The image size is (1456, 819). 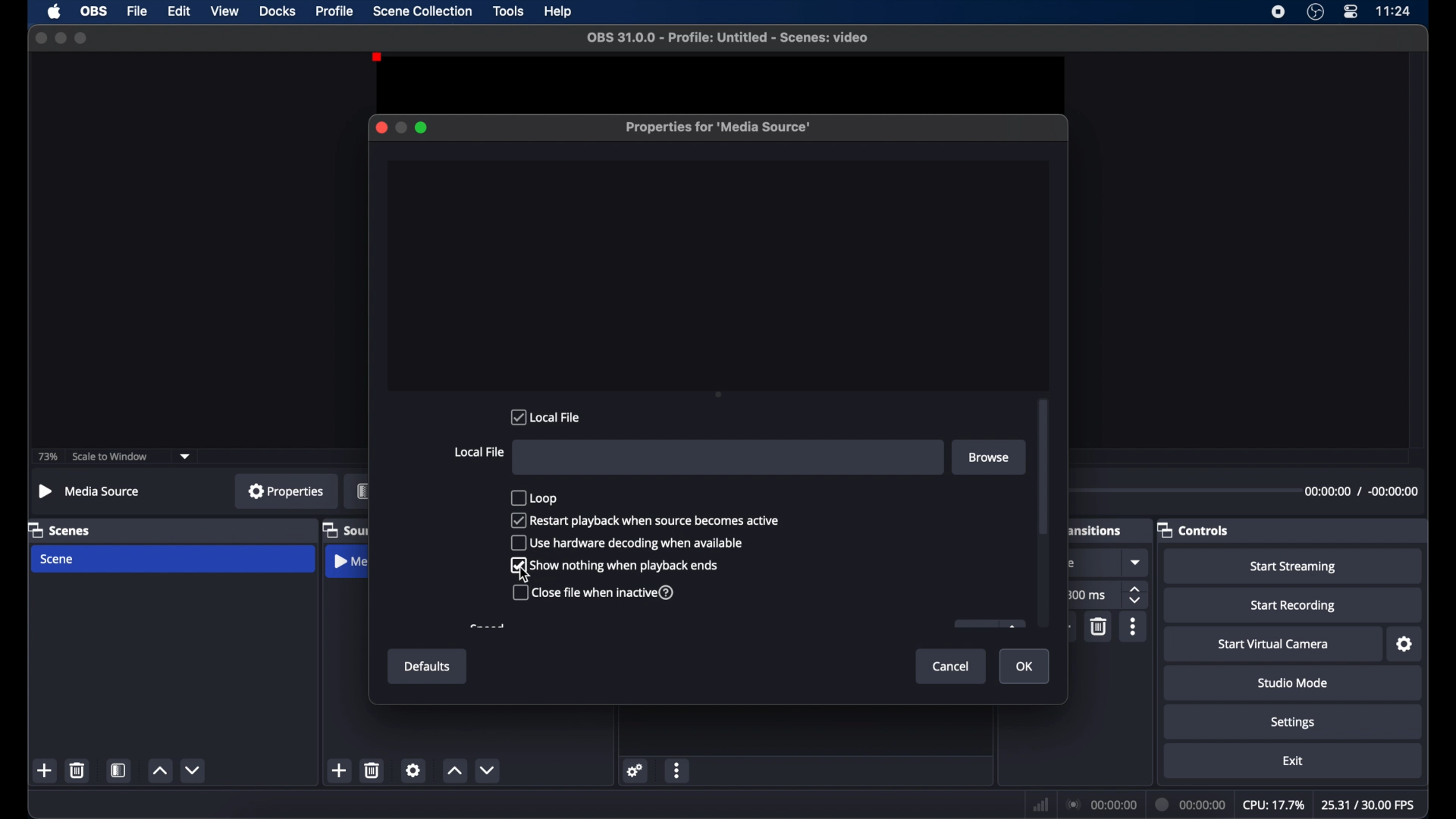 I want to click on more options, so click(x=679, y=770).